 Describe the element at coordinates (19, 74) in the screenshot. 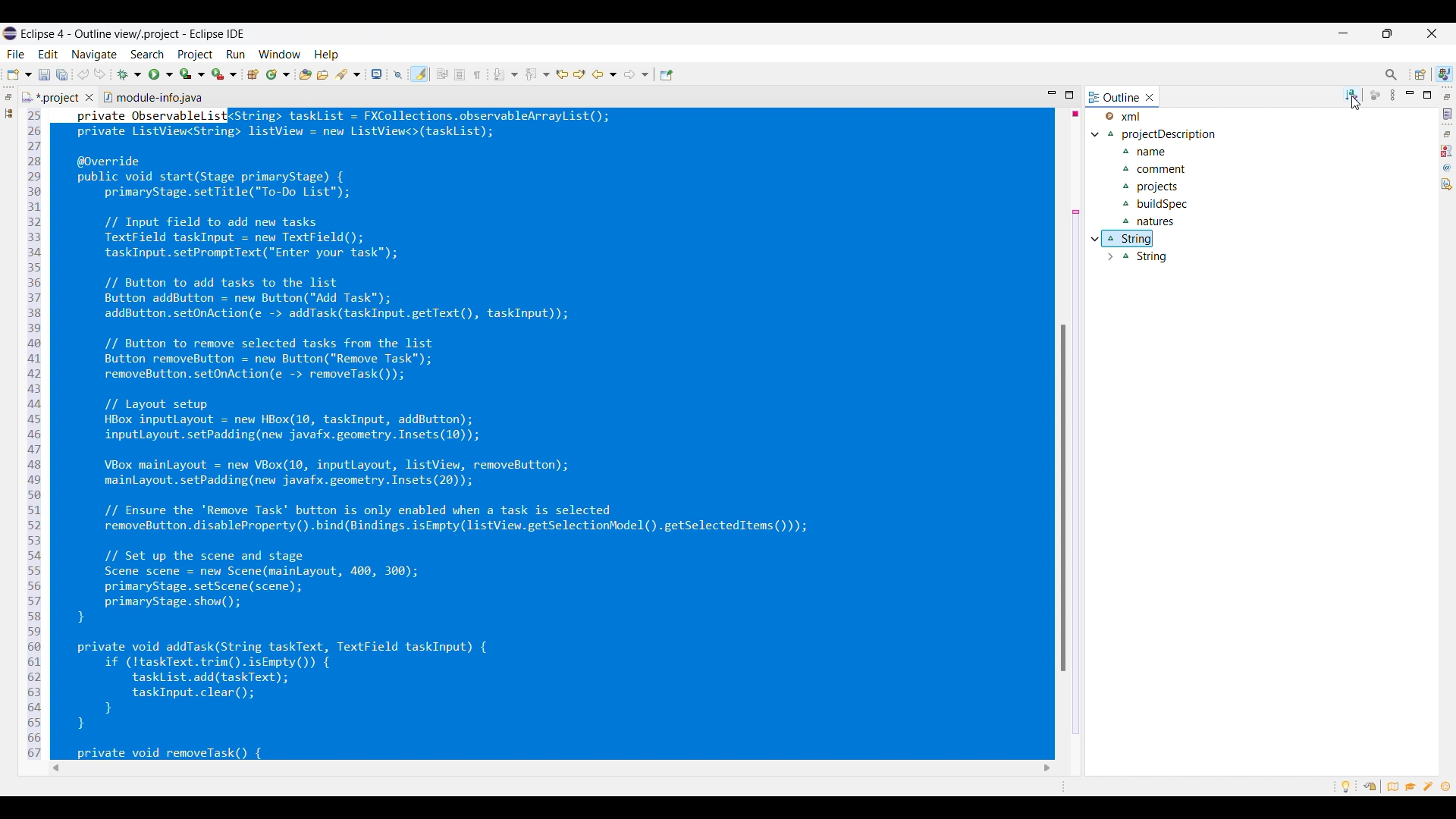

I see `New options` at that location.